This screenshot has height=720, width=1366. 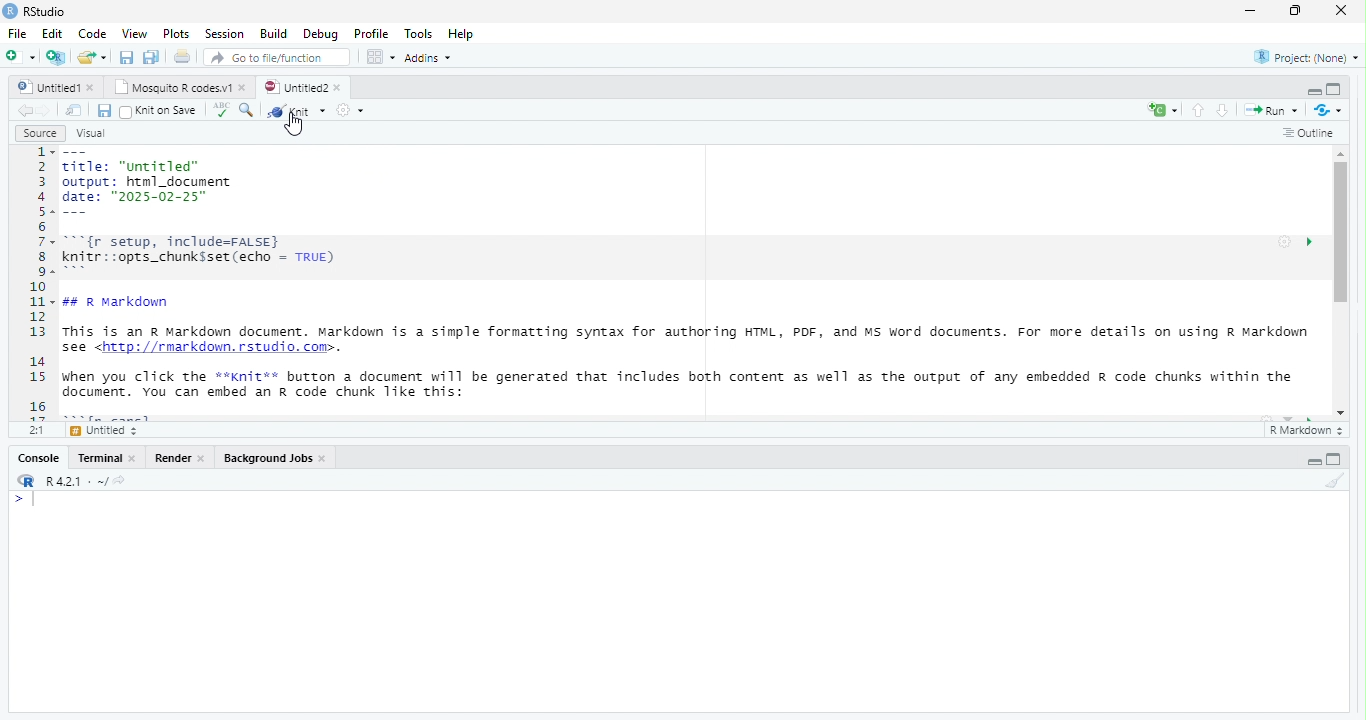 I want to click on Untitied2, so click(x=297, y=88).